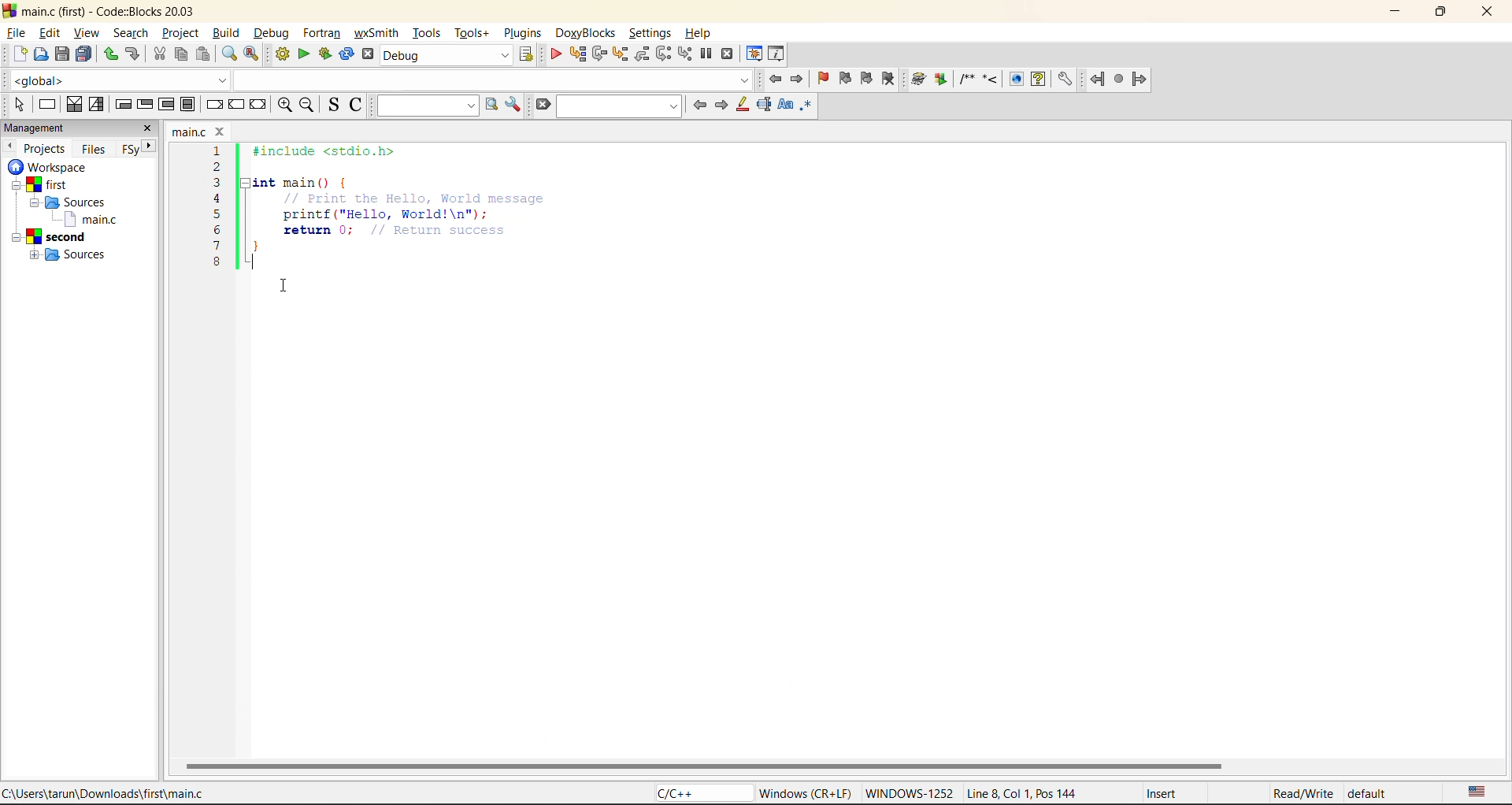 This screenshot has width=1512, height=805. Describe the element at coordinates (699, 33) in the screenshot. I see `help` at that location.